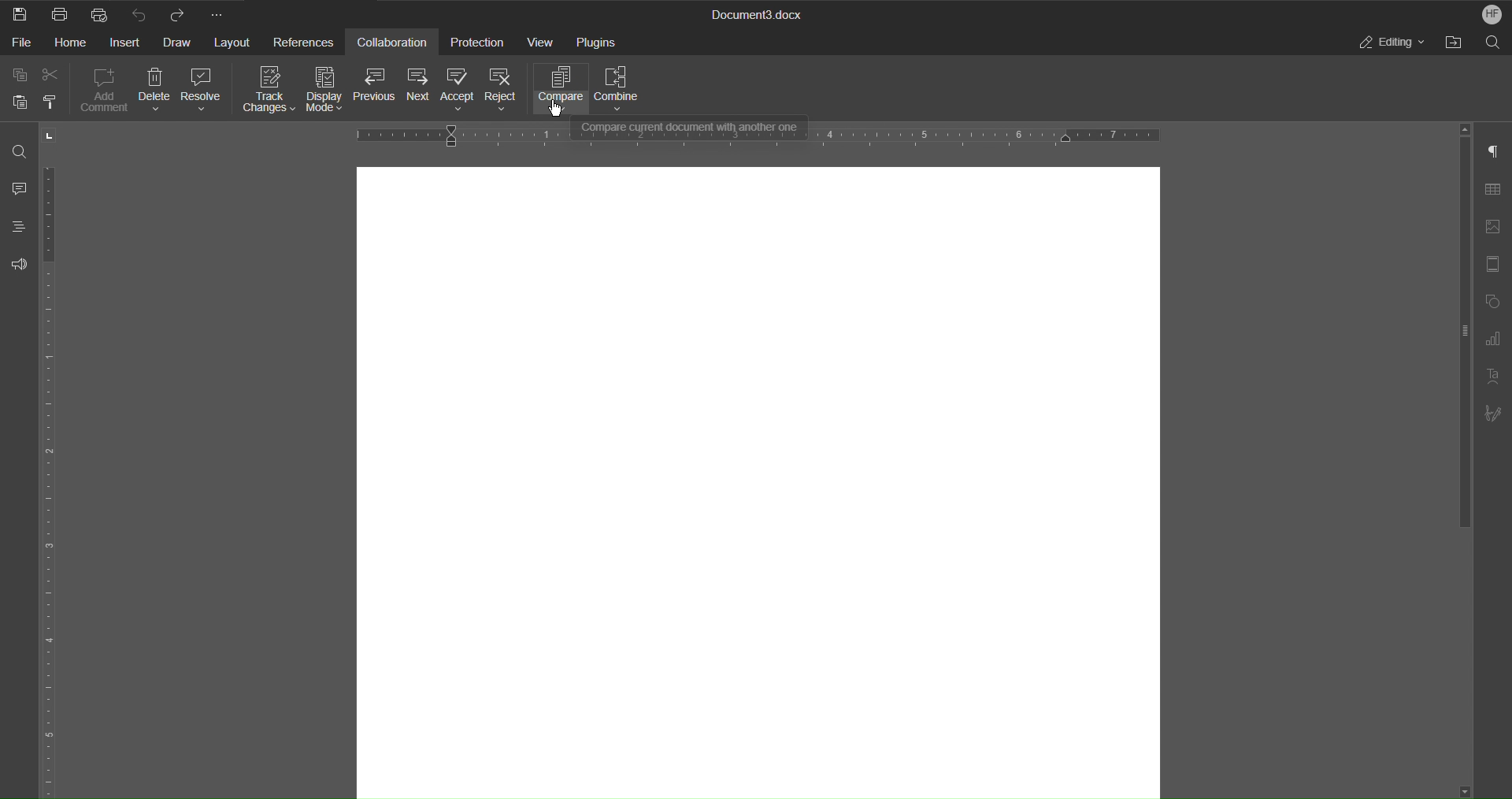 The width and height of the screenshot is (1512, 799). Describe the element at coordinates (417, 89) in the screenshot. I see `Next` at that location.